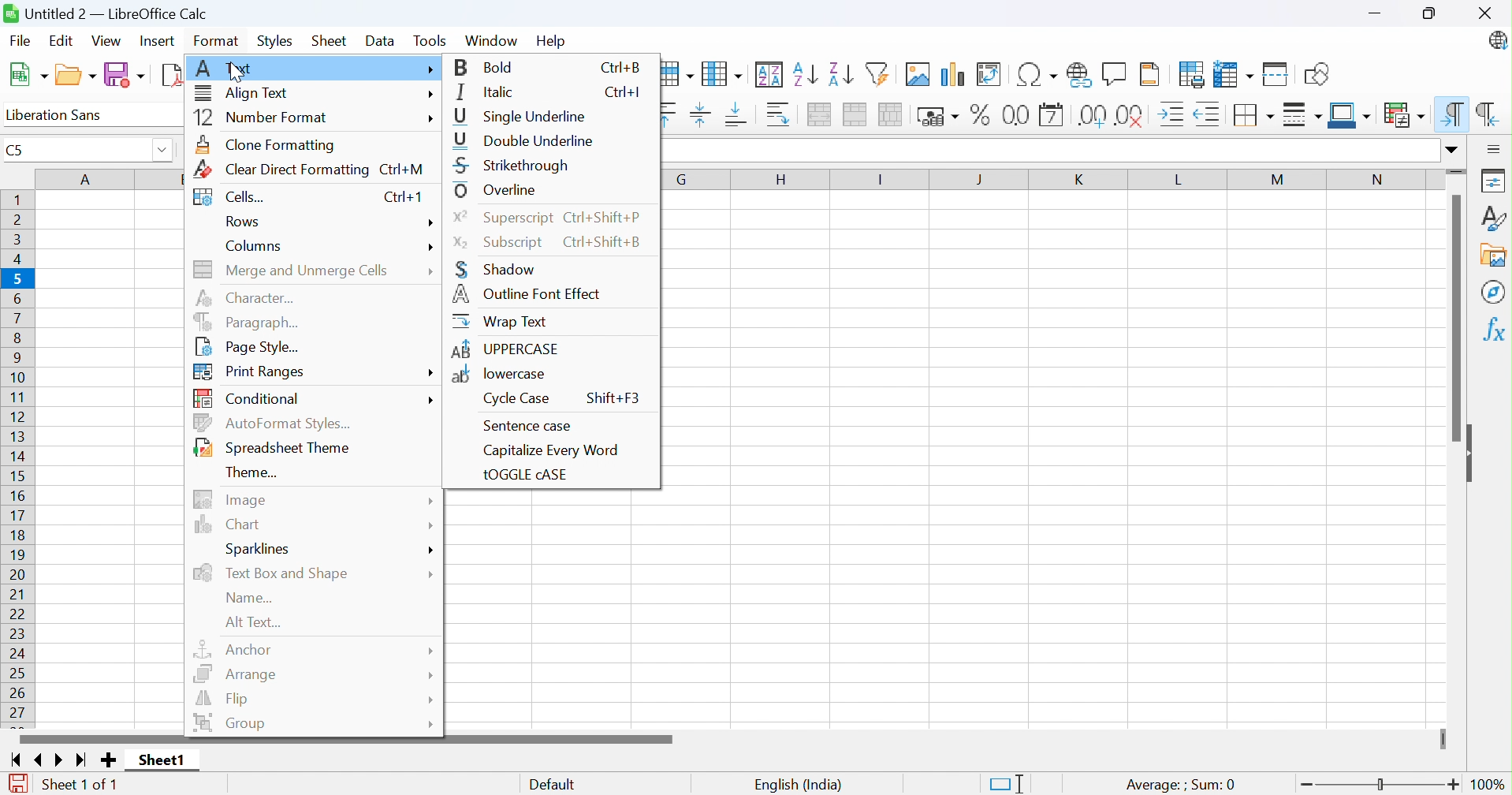  Describe the element at coordinates (490, 39) in the screenshot. I see `Window` at that location.